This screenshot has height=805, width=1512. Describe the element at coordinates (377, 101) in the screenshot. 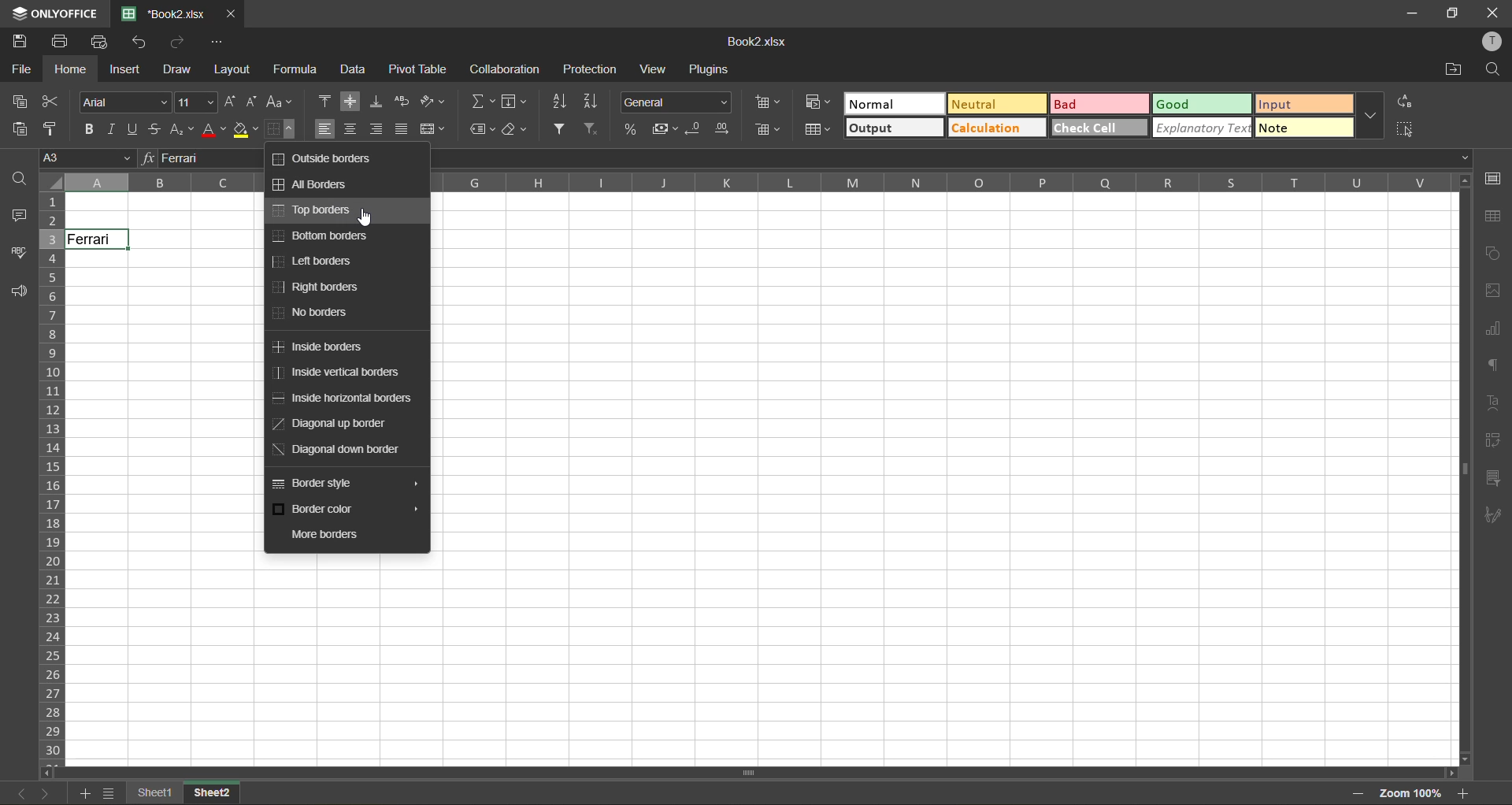

I see `align bottom` at that location.